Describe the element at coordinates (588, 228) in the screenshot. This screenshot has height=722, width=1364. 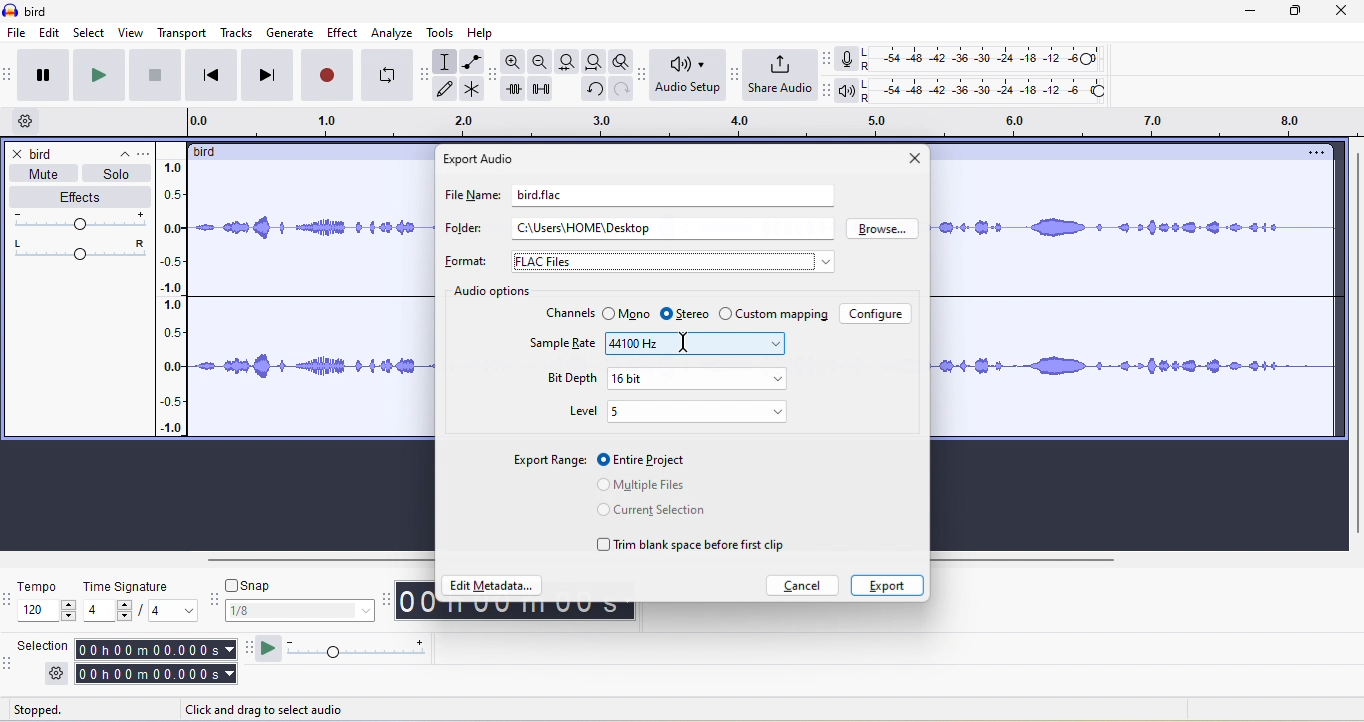
I see `location` at that location.